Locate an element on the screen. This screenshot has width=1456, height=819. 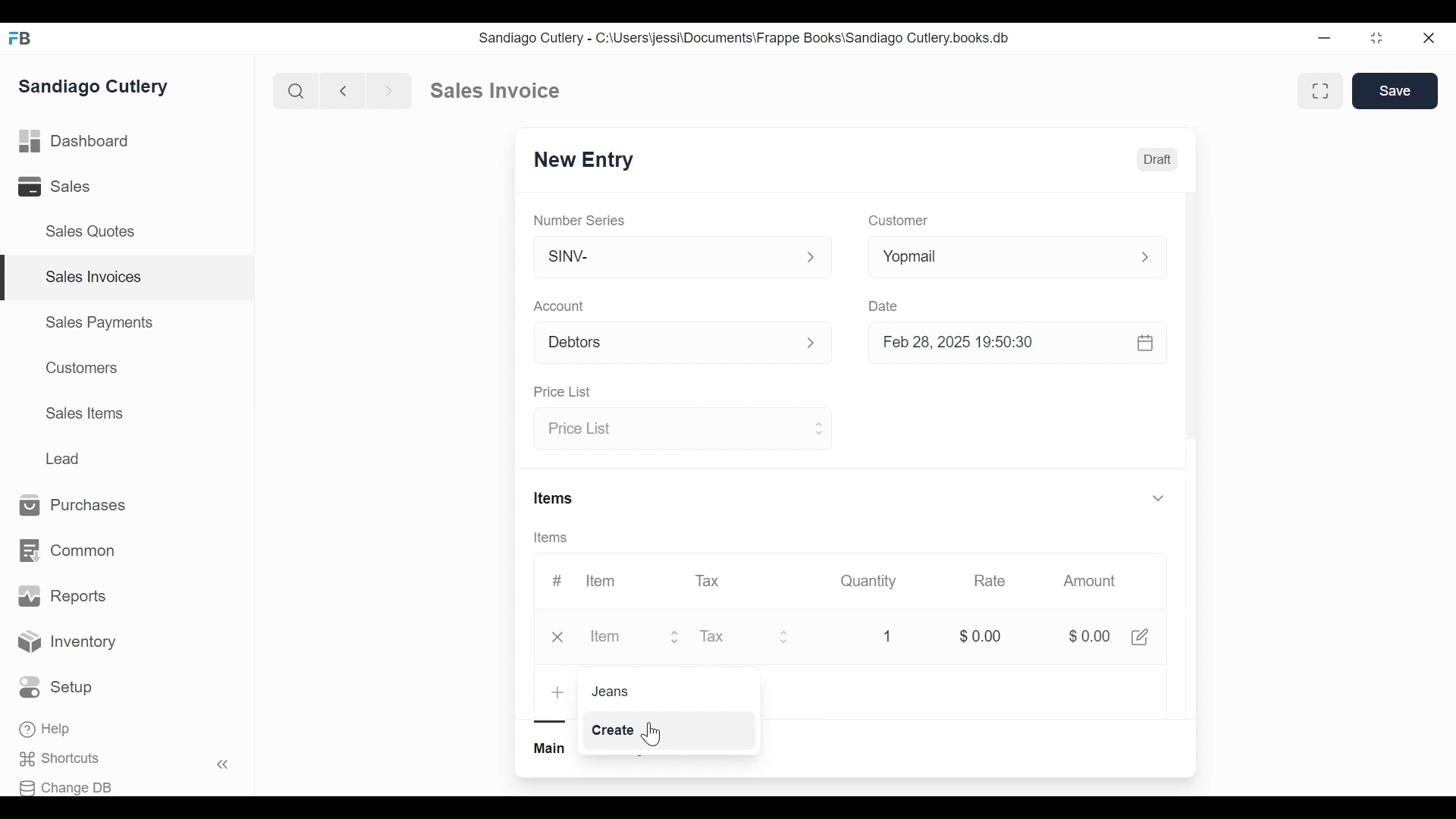
Lead is located at coordinates (64, 457).